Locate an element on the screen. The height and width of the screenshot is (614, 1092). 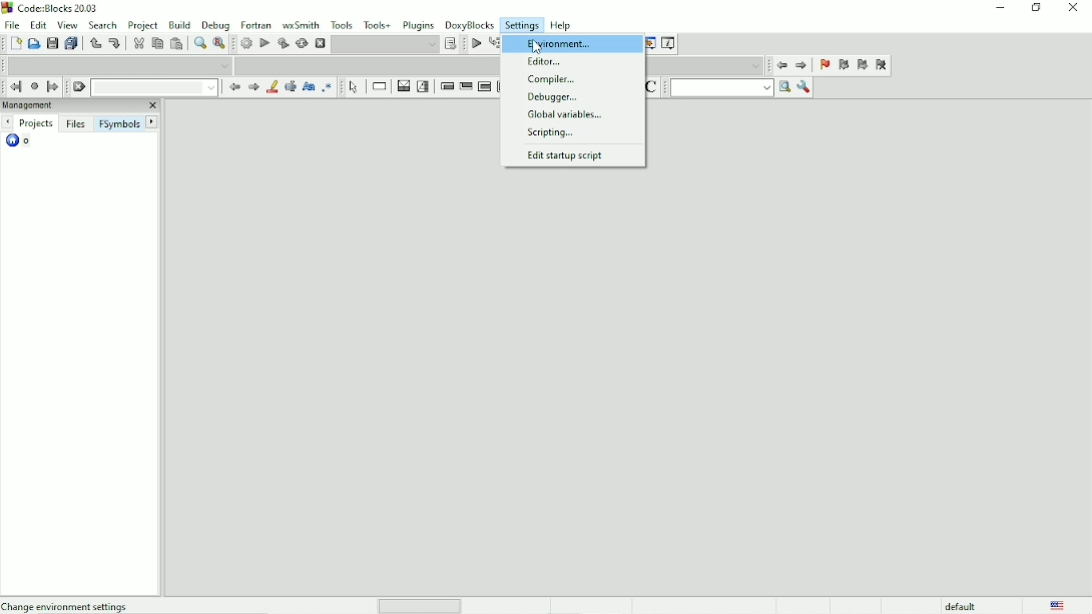
Save is located at coordinates (51, 43).